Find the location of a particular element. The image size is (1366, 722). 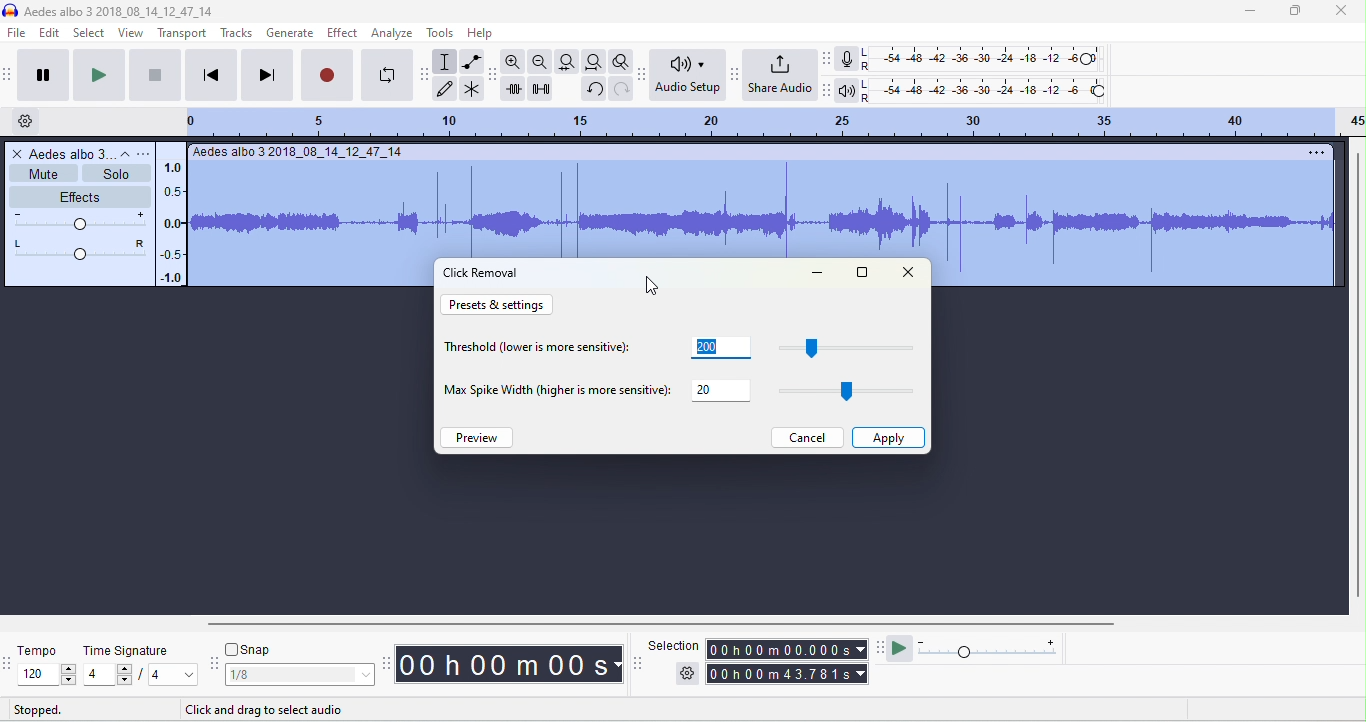

playback meter is located at coordinates (848, 91).